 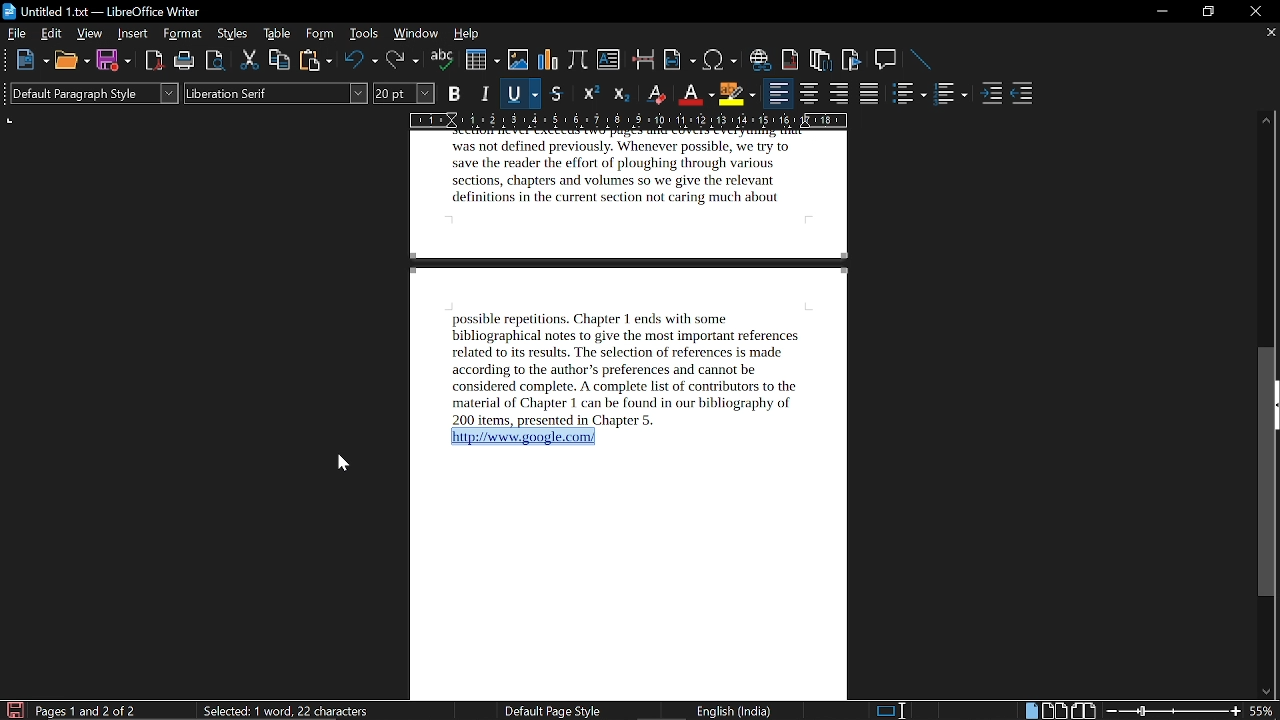 What do you see at coordinates (624, 94) in the screenshot?
I see `subscript` at bounding box center [624, 94].